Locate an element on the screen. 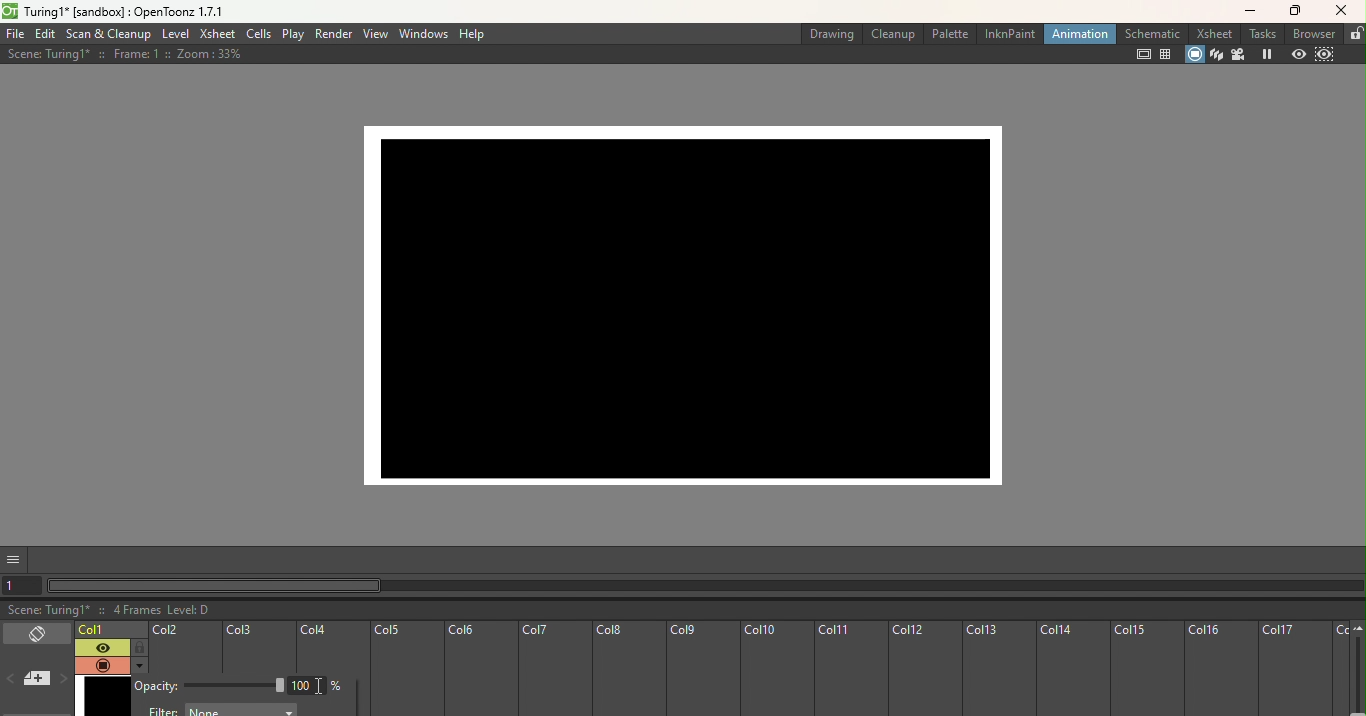 This screenshot has height=716, width=1366. Col5 is located at coordinates (405, 670).